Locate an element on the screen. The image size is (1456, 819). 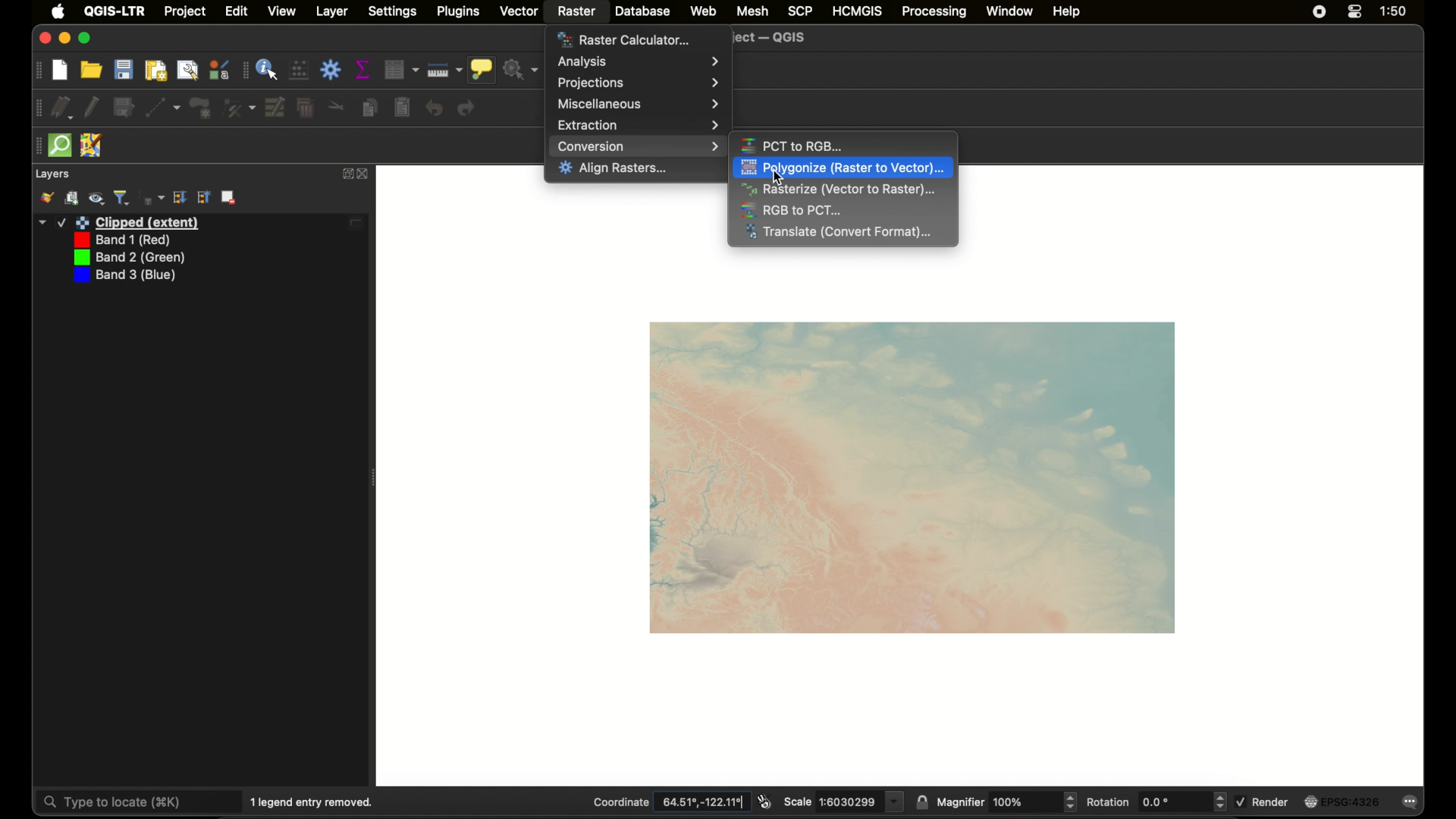
no action selected is located at coordinates (522, 70).